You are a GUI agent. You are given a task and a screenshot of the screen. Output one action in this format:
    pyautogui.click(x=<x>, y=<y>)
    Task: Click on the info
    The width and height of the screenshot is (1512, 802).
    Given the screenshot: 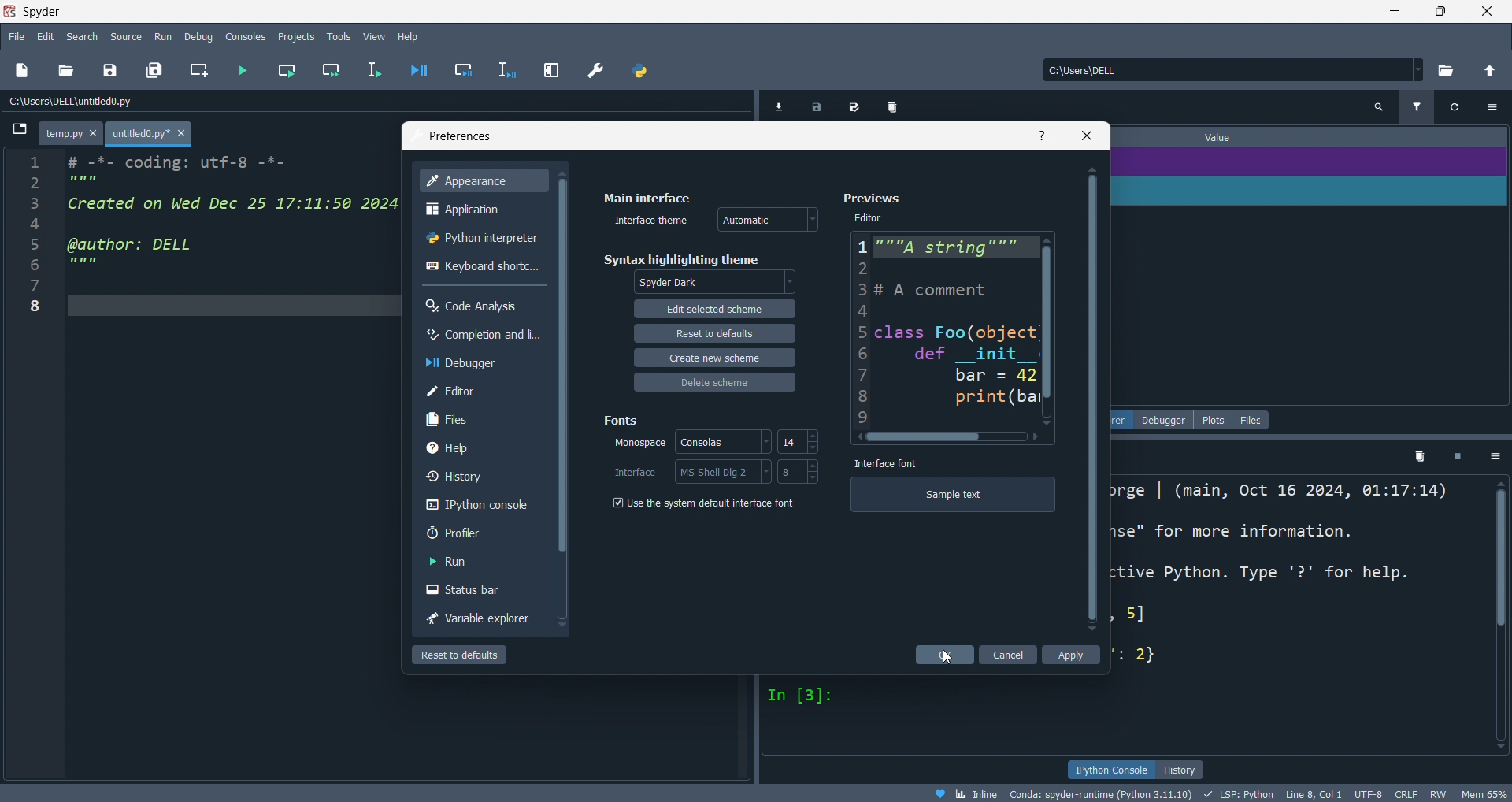 What is the action you would take?
    pyautogui.click(x=1041, y=136)
    